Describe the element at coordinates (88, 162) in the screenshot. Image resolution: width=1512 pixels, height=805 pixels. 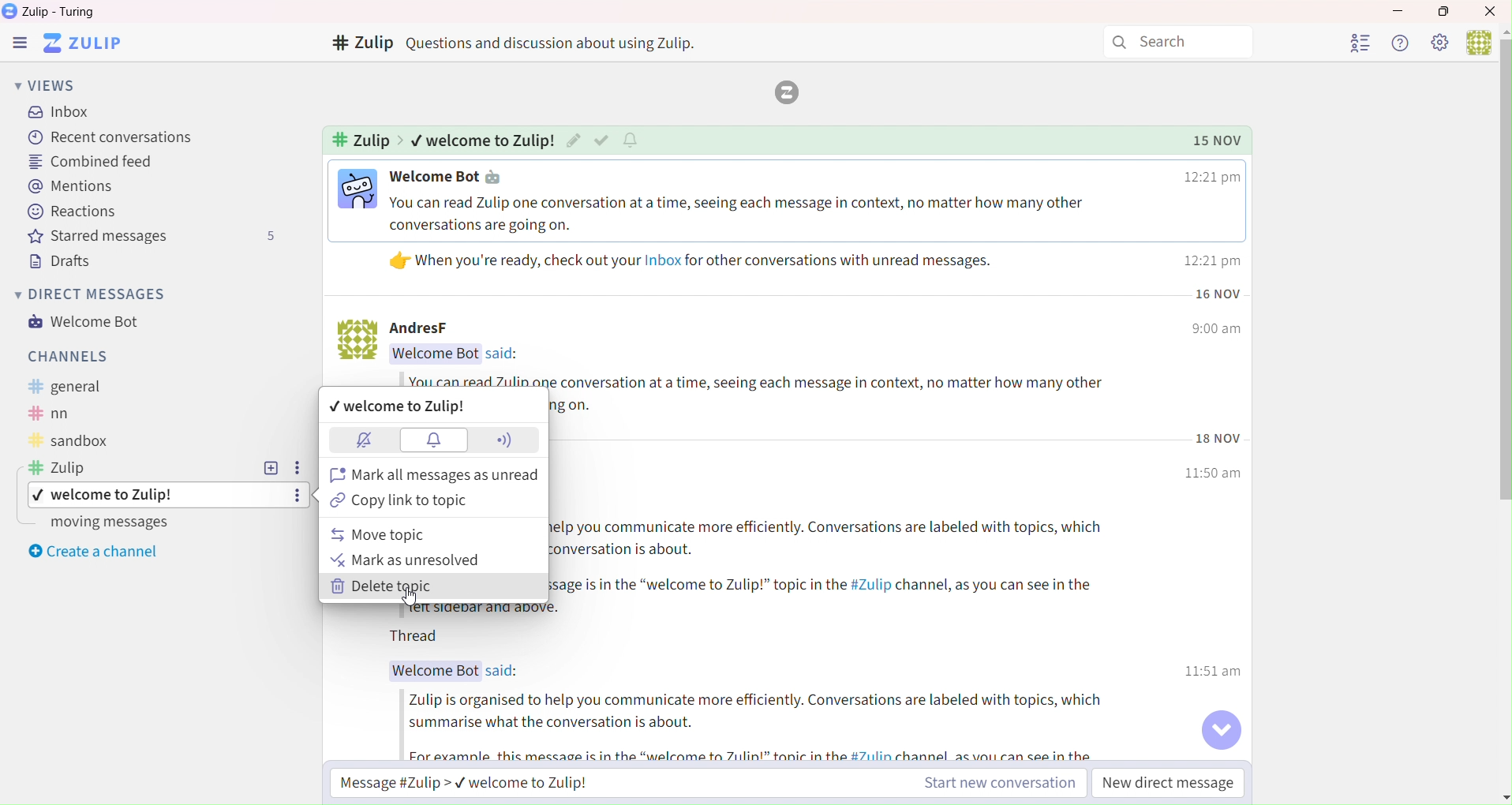
I see `Combined Feed` at that location.